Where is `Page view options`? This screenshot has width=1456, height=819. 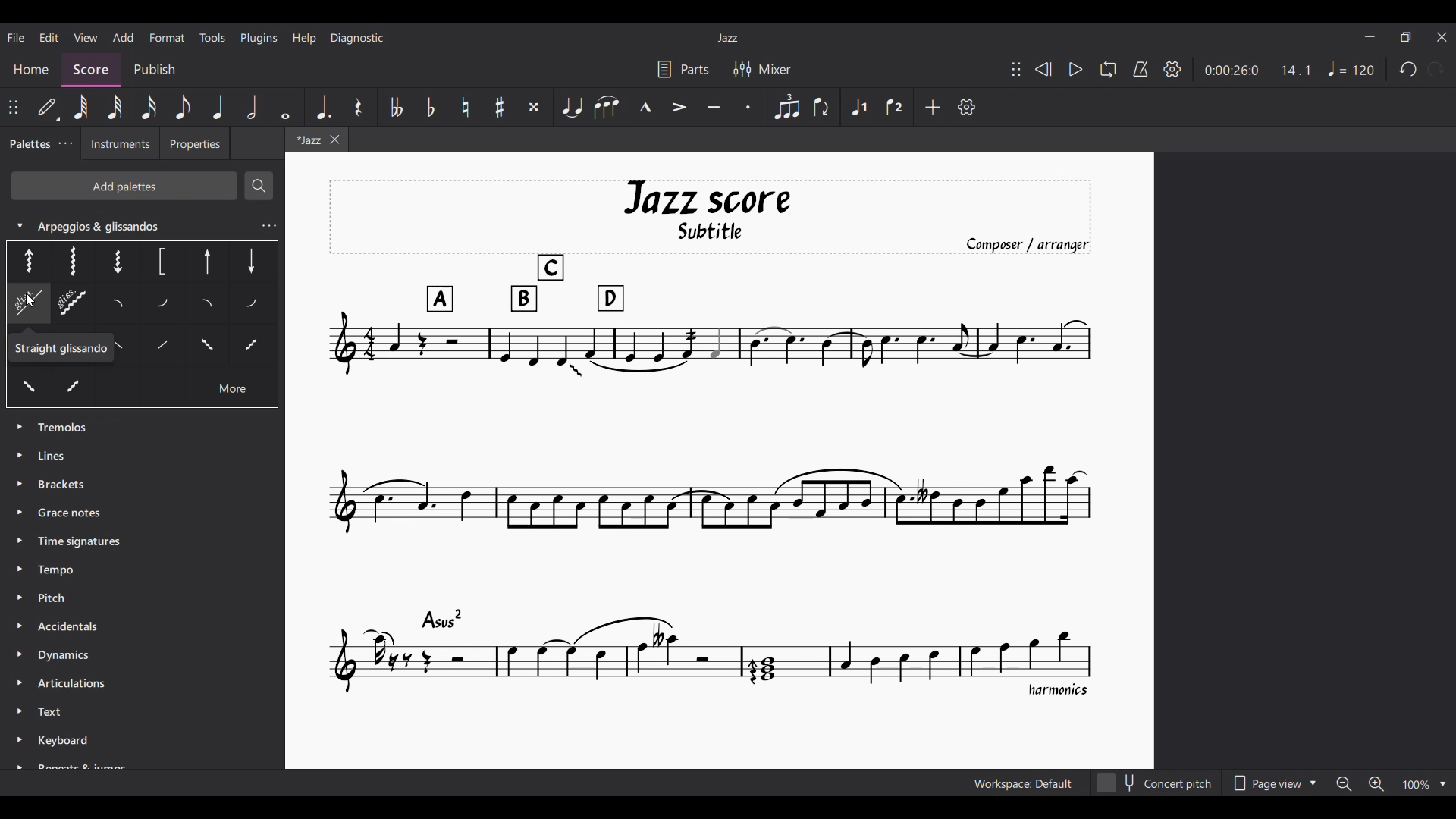 Page view options is located at coordinates (1274, 783).